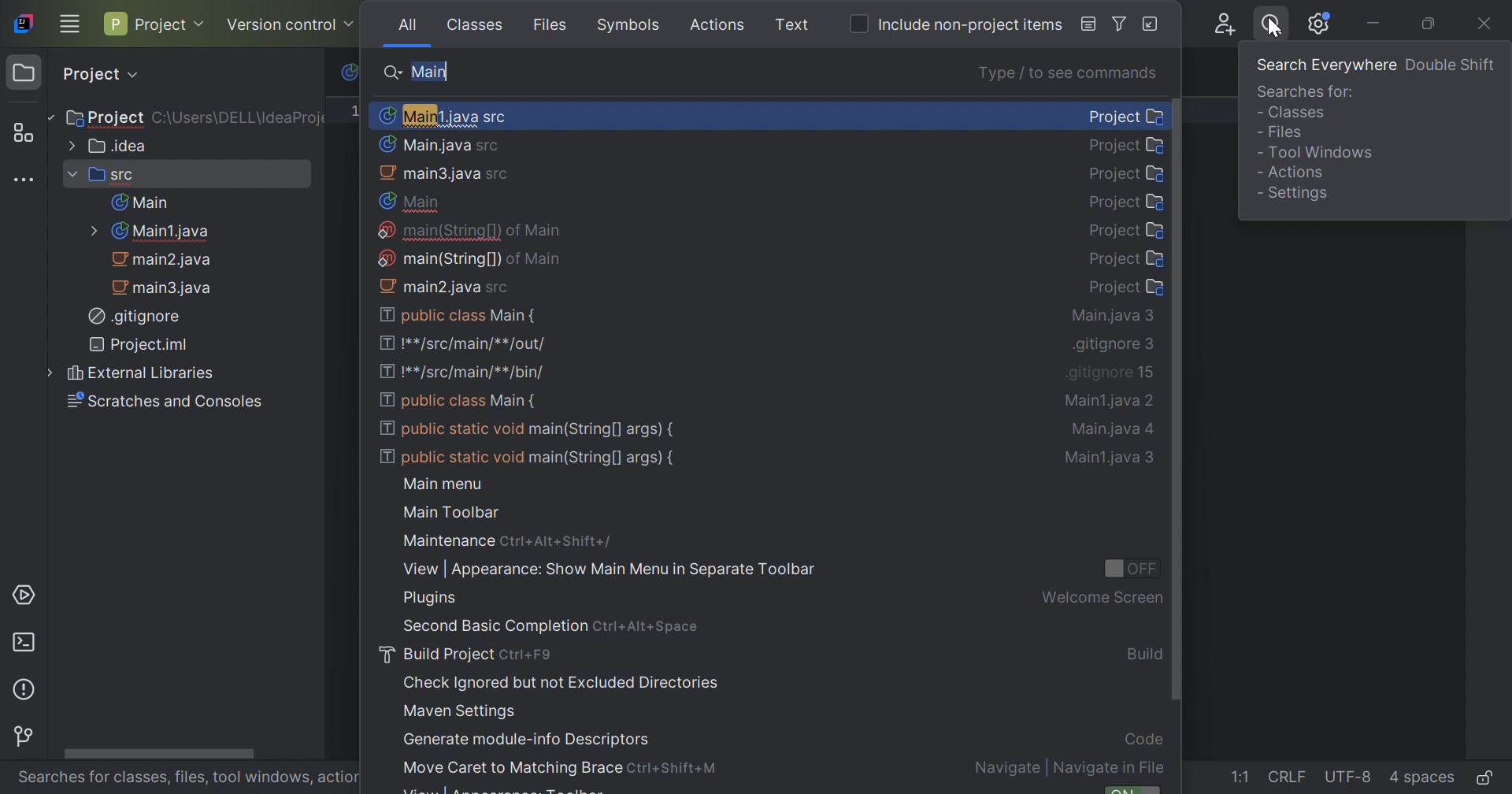 This screenshot has width=1512, height=794. What do you see at coordinates (495, 626) in the screenshot?
I see `Second Basic Completion` at bounding box center [495, 626].